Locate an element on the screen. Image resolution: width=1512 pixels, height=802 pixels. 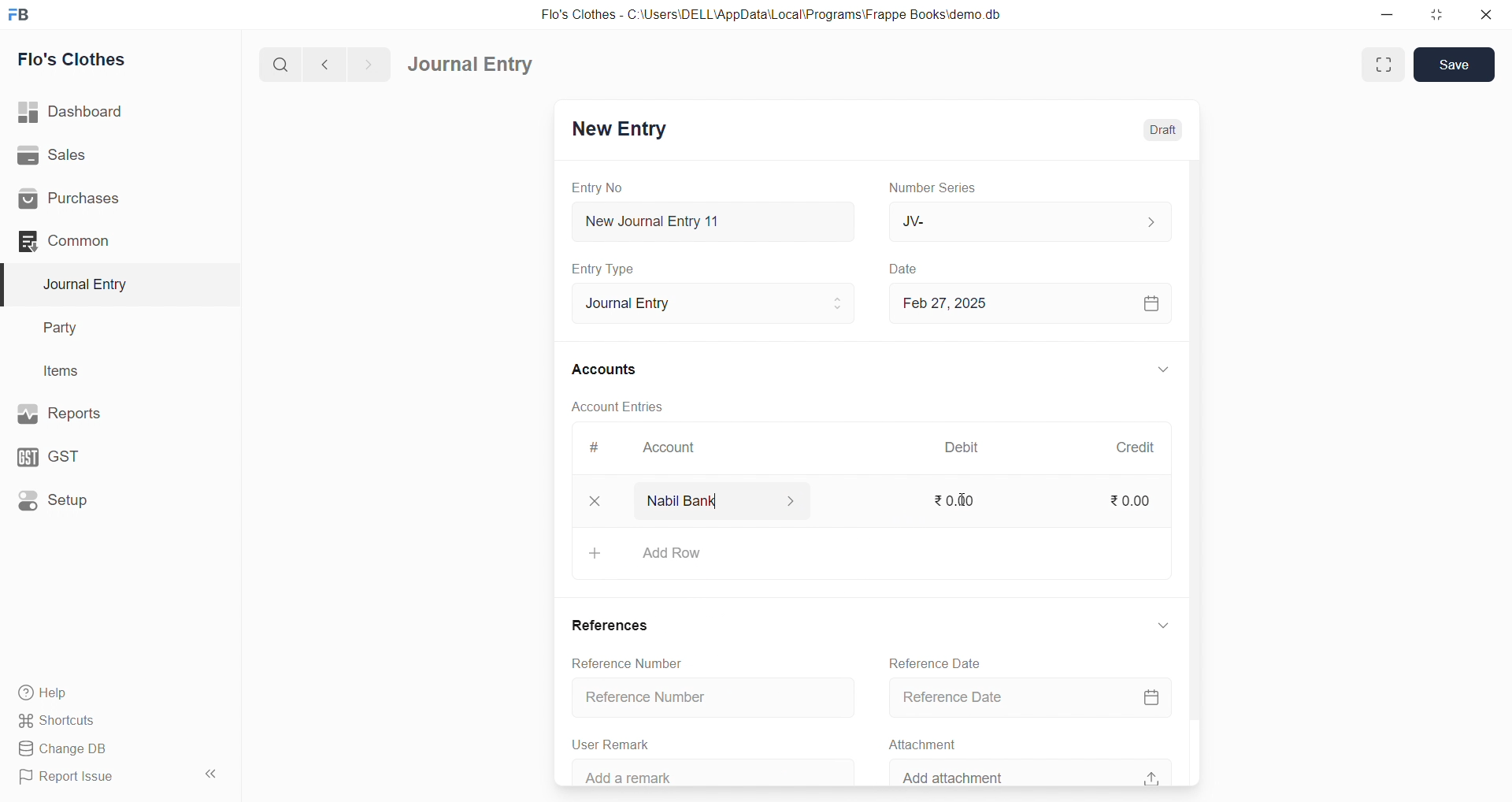
References is located at coordinates (611, 623).